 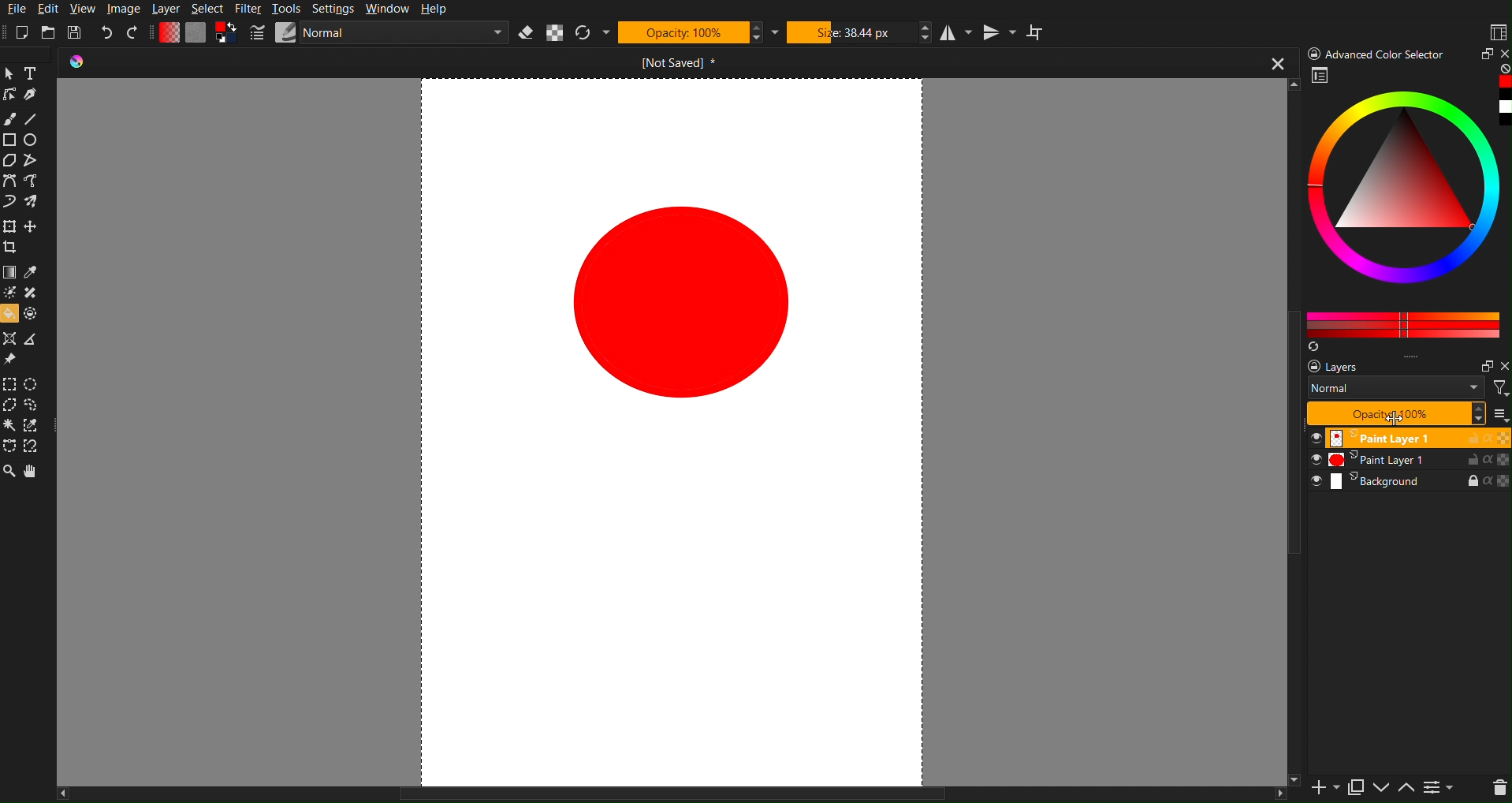 I want to click on Red, so click(x=1503, y=77).